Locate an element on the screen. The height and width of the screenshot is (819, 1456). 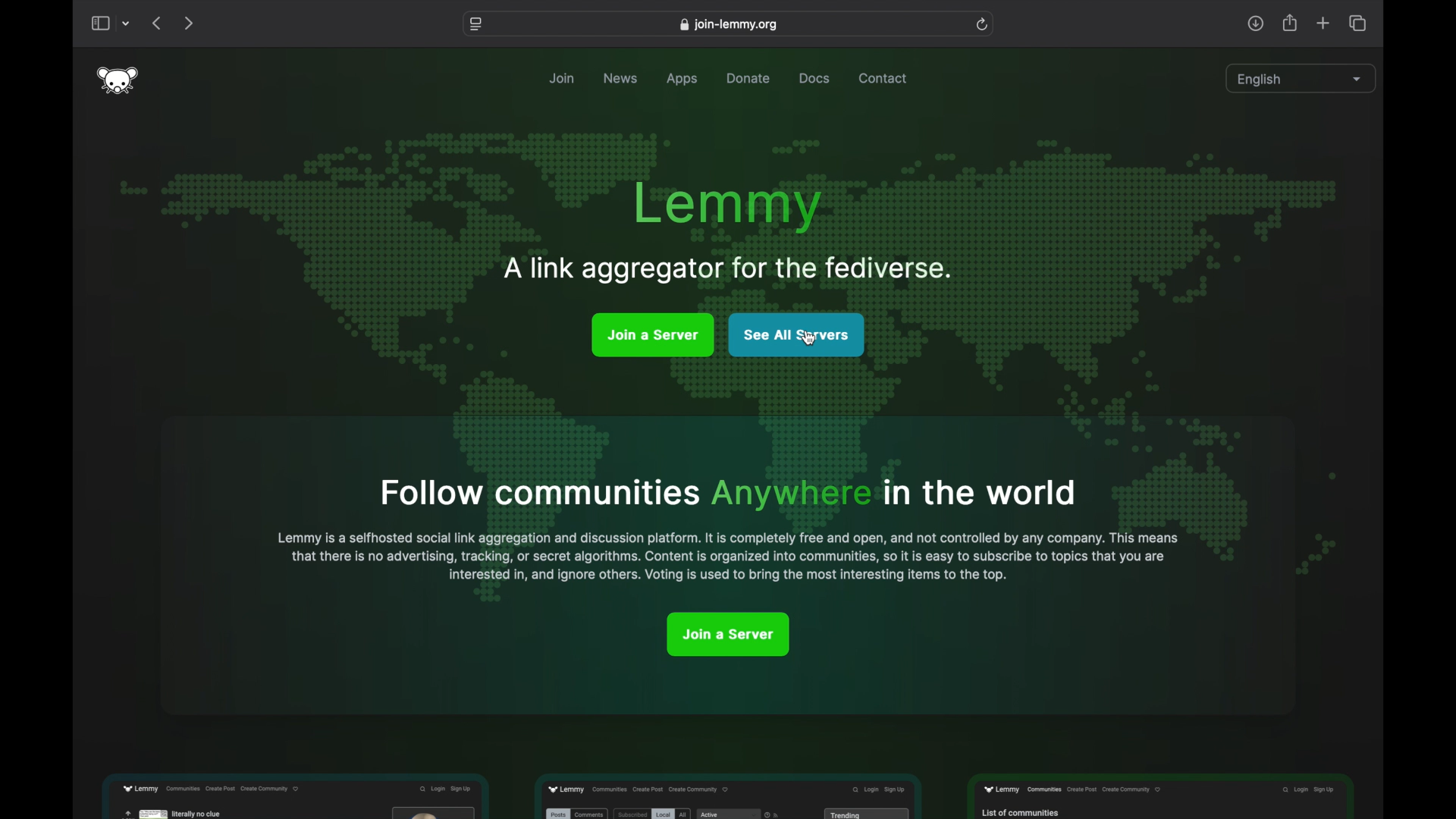
that there is no advertising, tracking, or secret algorithms. Content is organised into communities, so it is easy to subscribet to topics that you are is located at coordinates (726, 558).